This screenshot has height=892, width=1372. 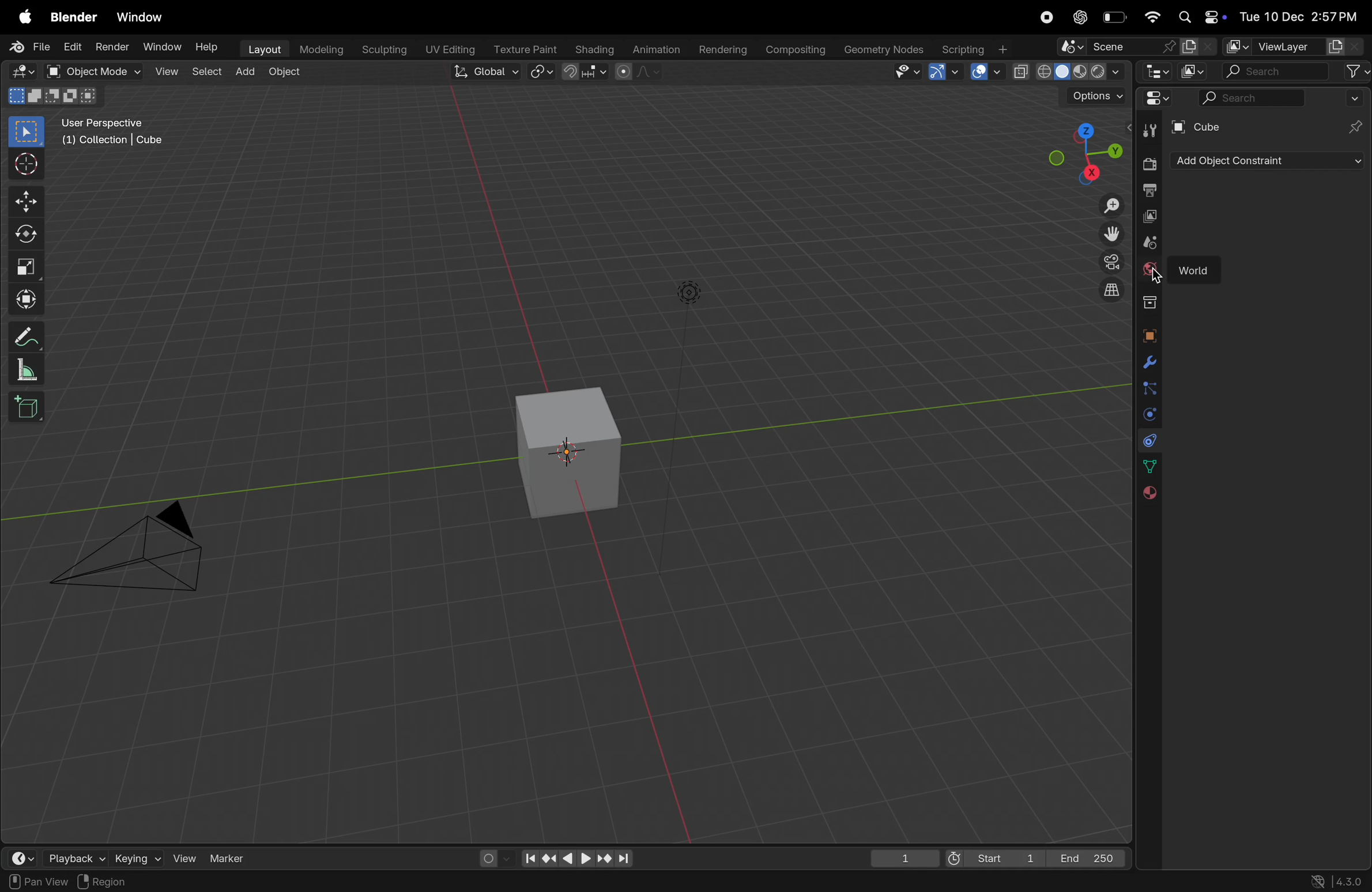 I want to click on World, so click(x=1197, y=266).